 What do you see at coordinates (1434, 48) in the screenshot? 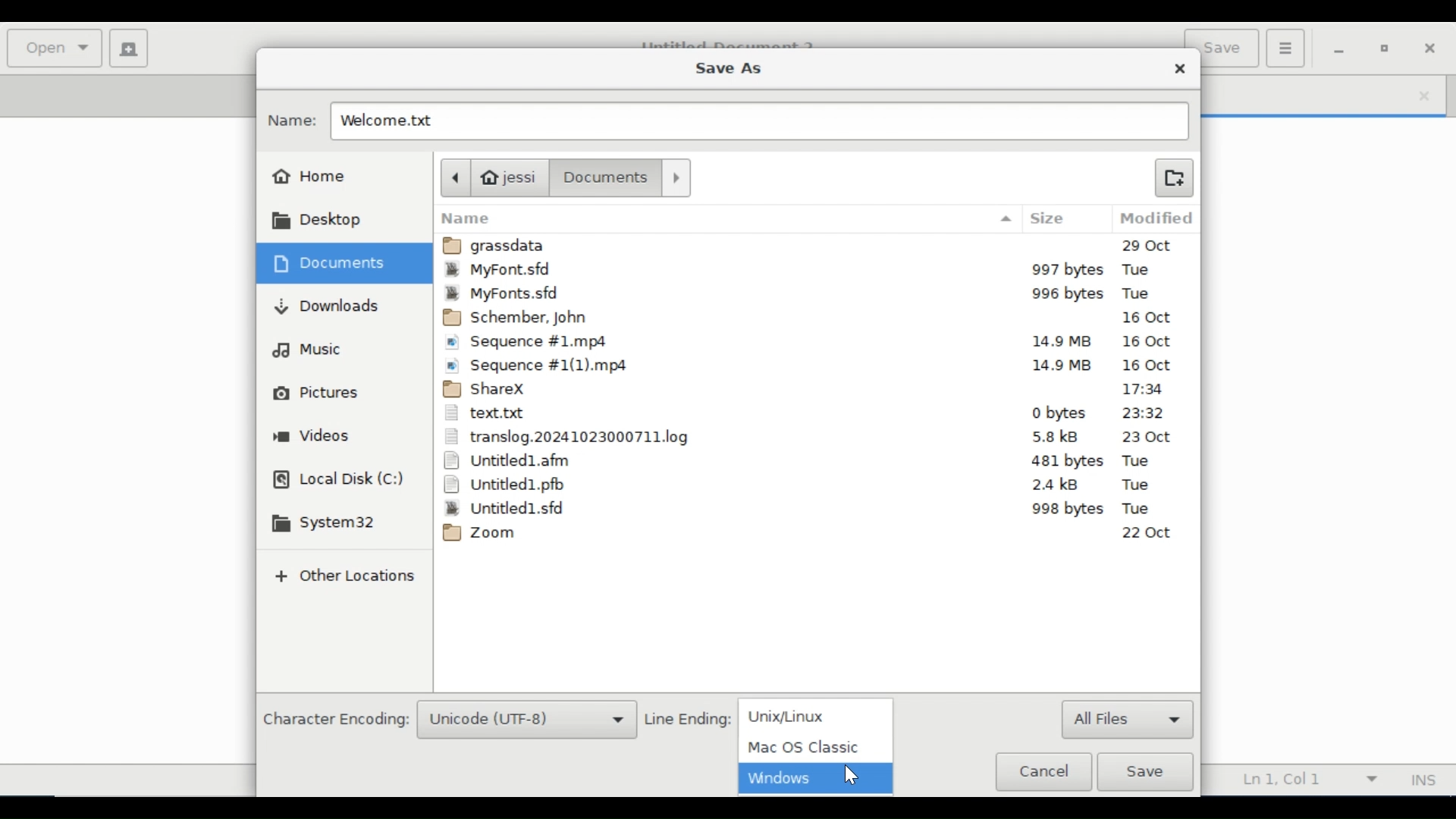
I see `Close` at bounding box center [1434, 48].